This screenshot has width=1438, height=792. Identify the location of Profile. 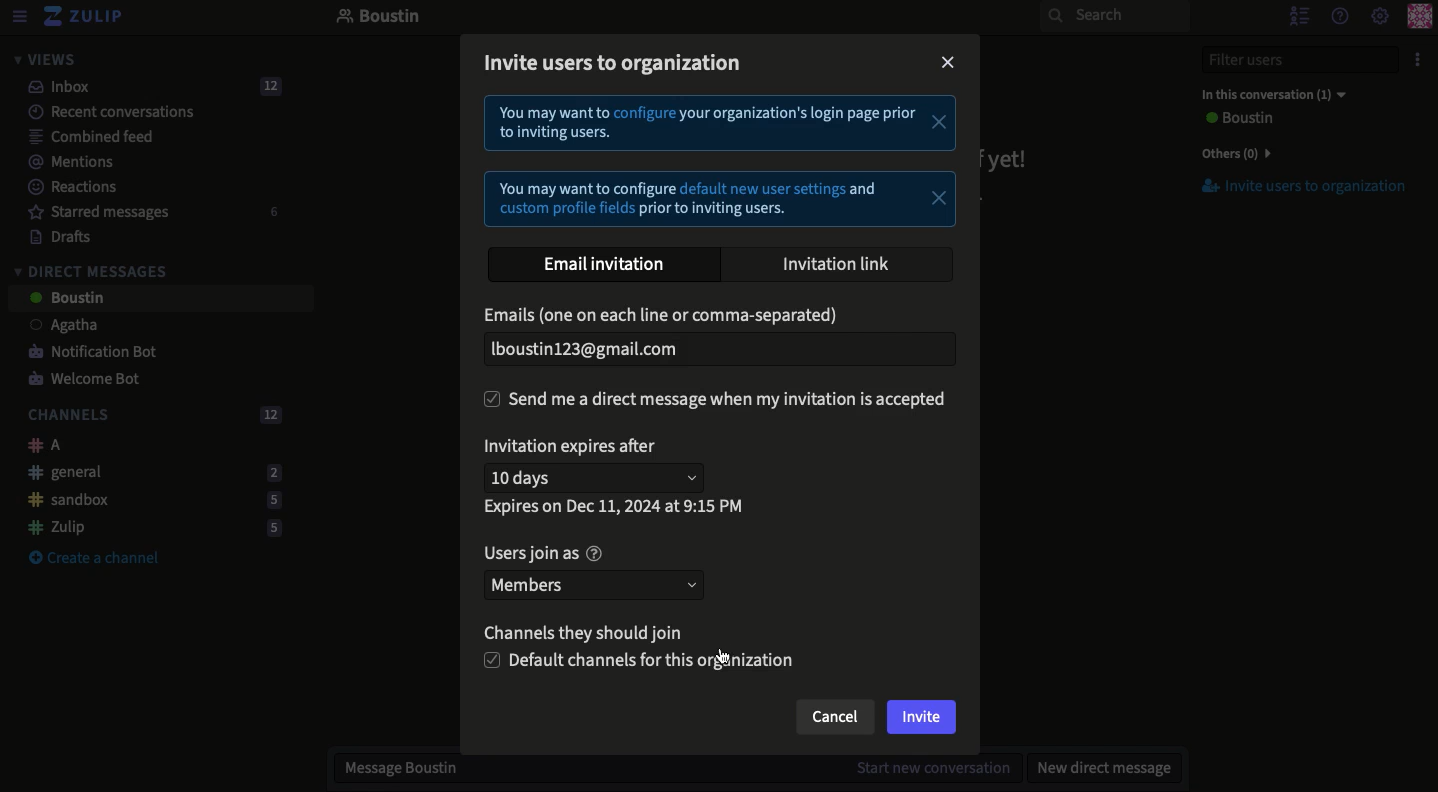
(1419, 18).